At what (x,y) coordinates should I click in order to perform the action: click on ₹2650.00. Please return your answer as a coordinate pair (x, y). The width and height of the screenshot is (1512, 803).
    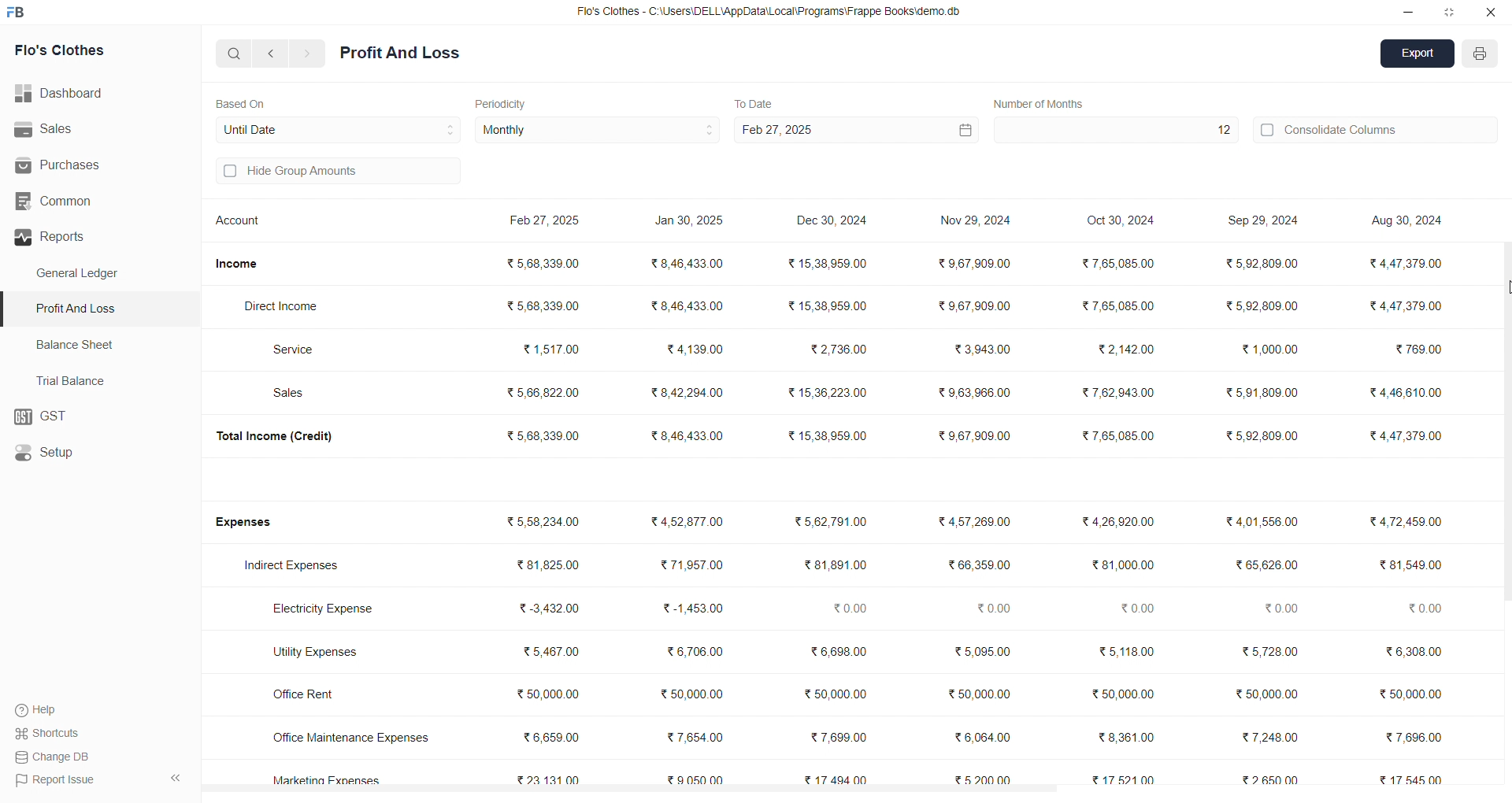
    Looking at the image, I should click on (1268, 779).